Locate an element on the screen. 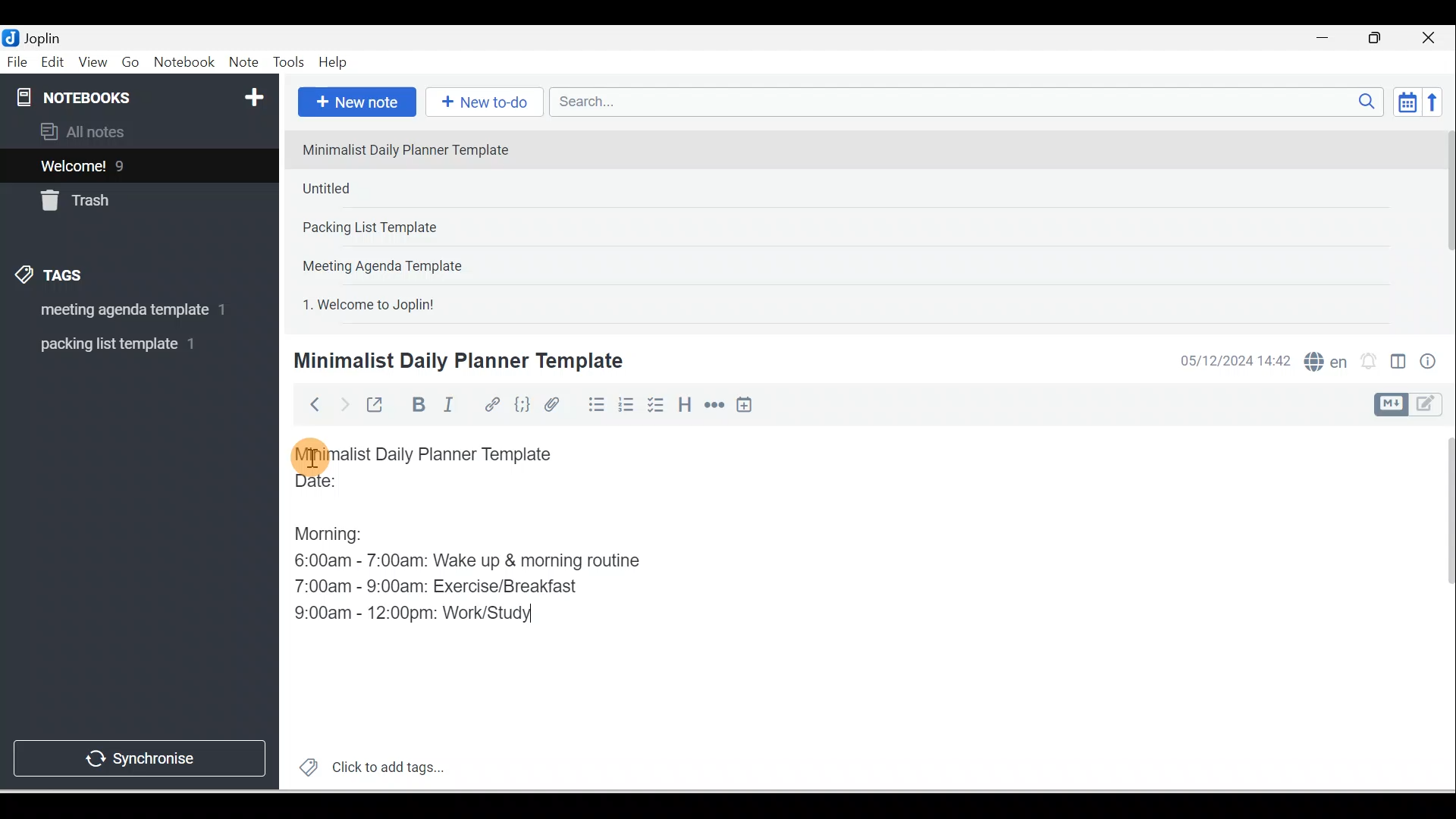 The height and width of the screenshot is (819, 1456). Tag 1 is located at coordinates (119, 311).